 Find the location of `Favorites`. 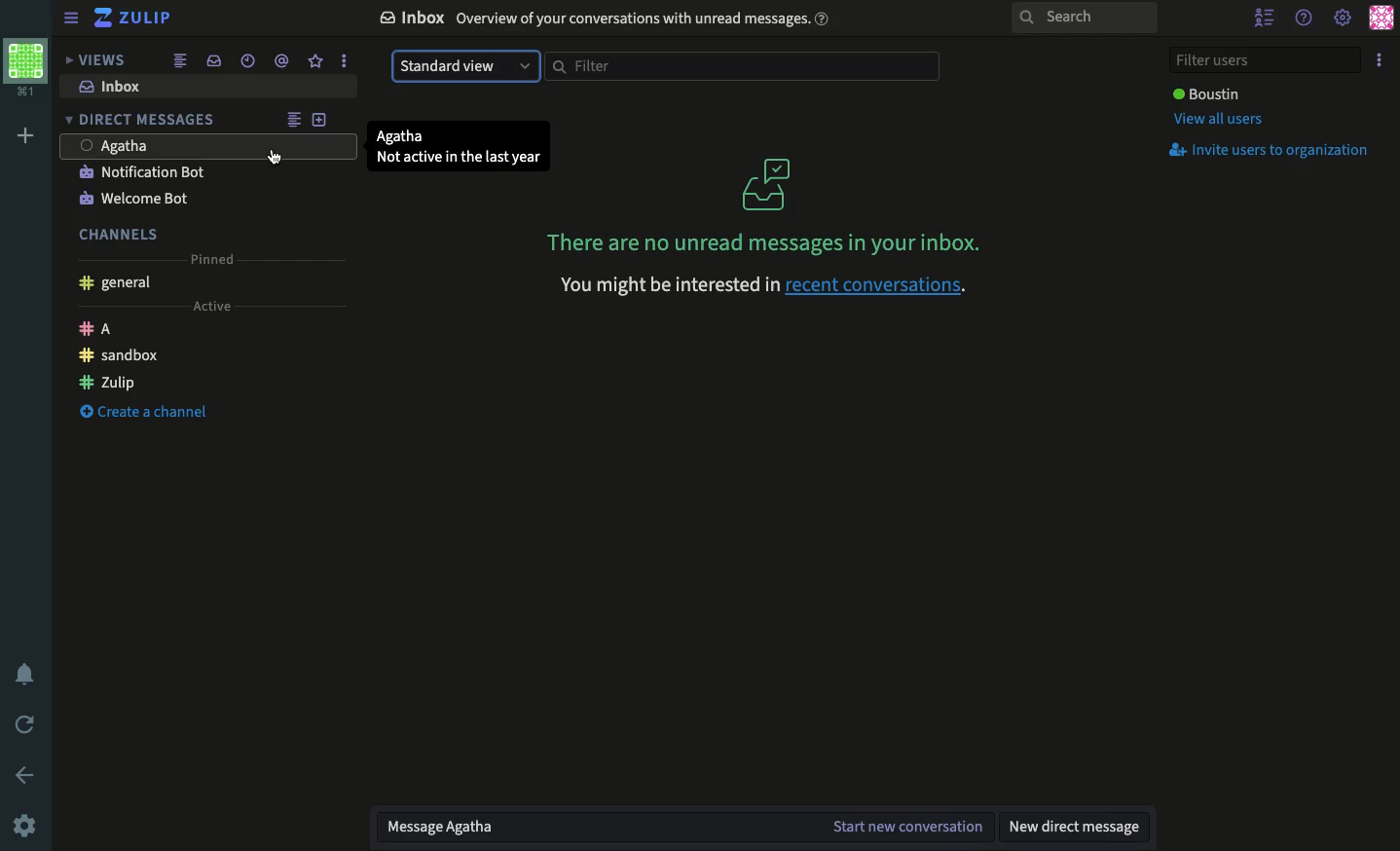

Favorites is located at coordinates (314, 62).